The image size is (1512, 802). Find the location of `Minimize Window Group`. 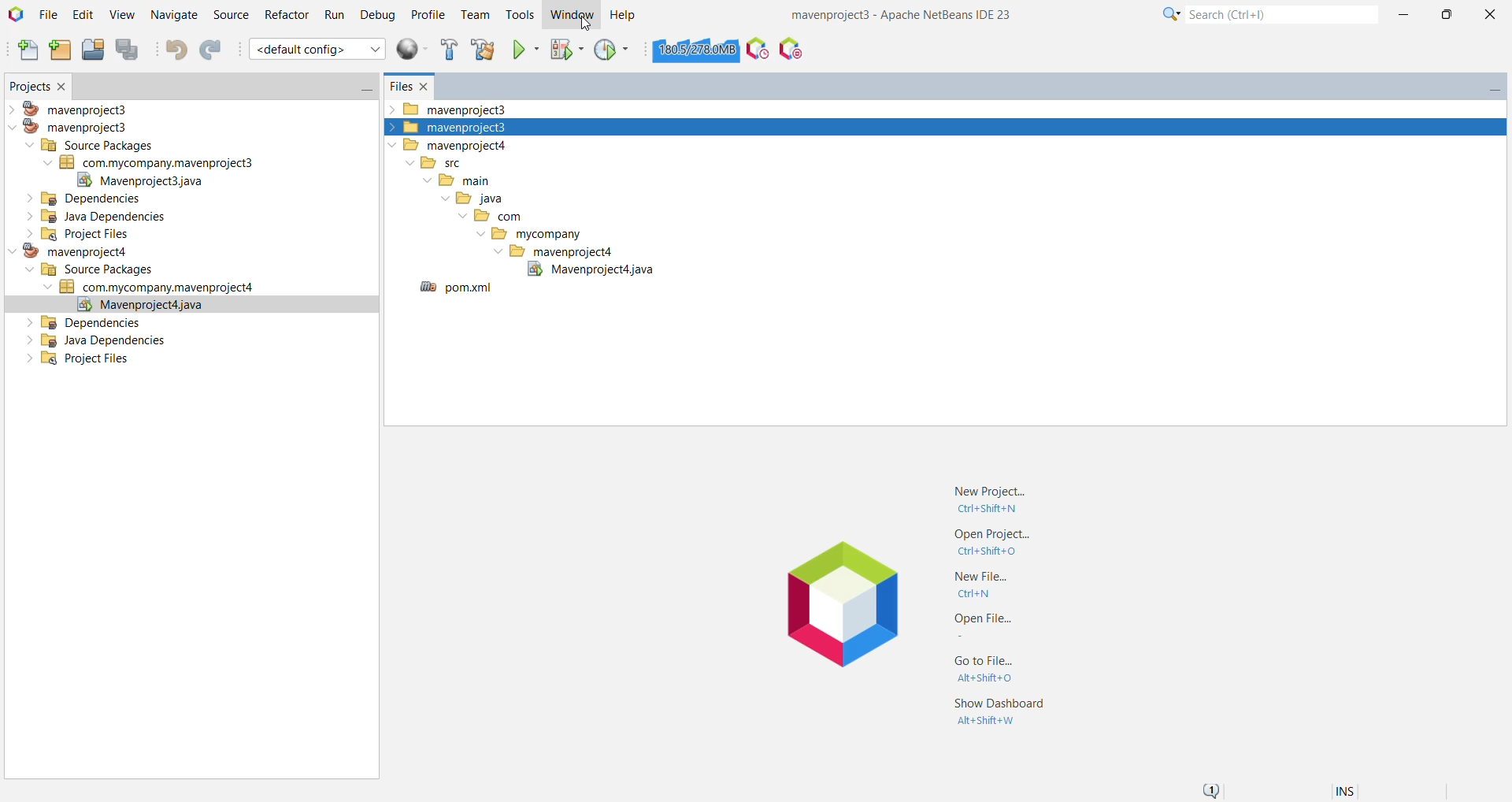

Minimize Window Group is located at coordinates (361, 89).